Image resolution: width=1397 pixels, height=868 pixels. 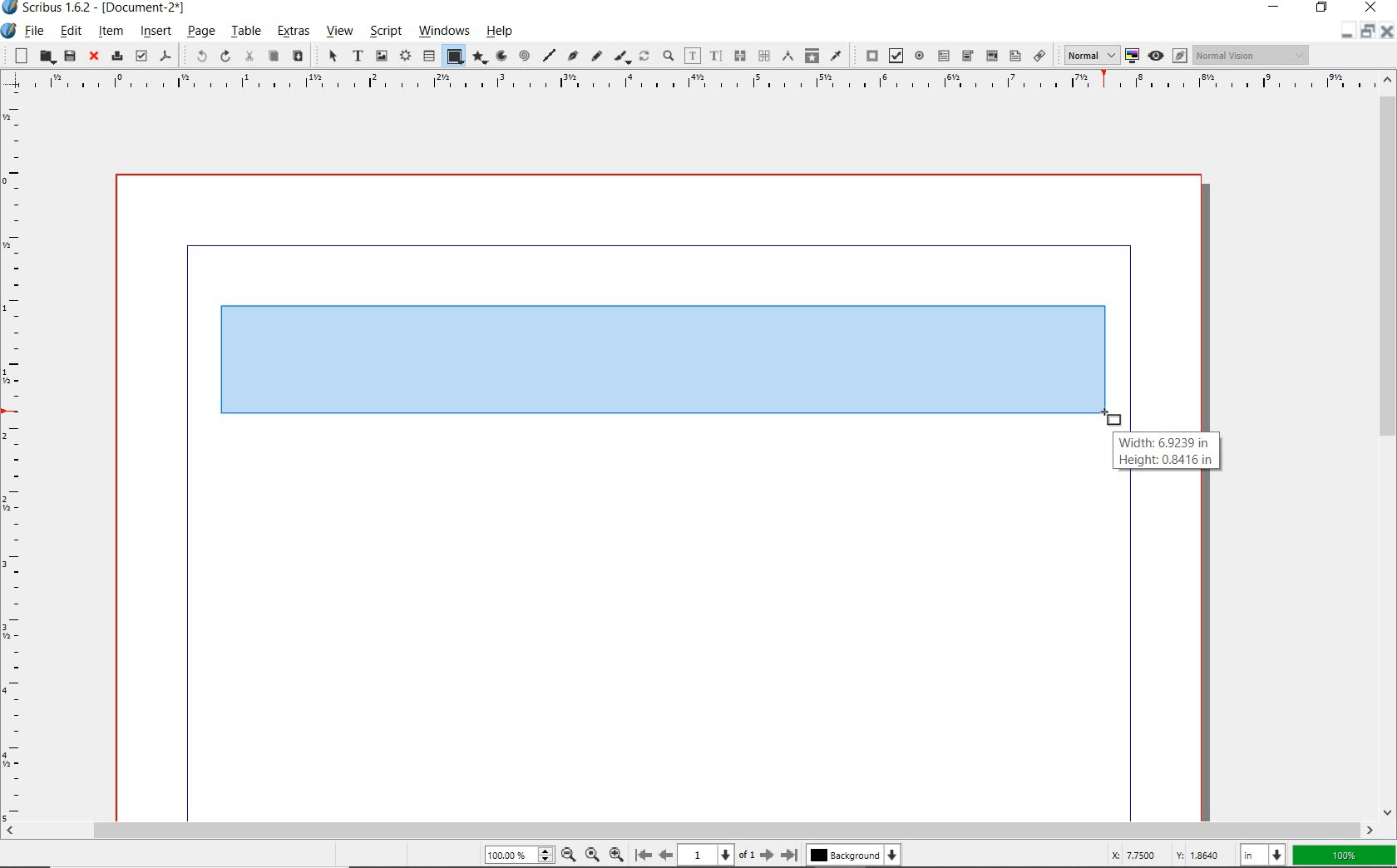 What do you see at coordinates (717, 855) in the screenshot?
I see `current page` at bounding box center [717, 855].